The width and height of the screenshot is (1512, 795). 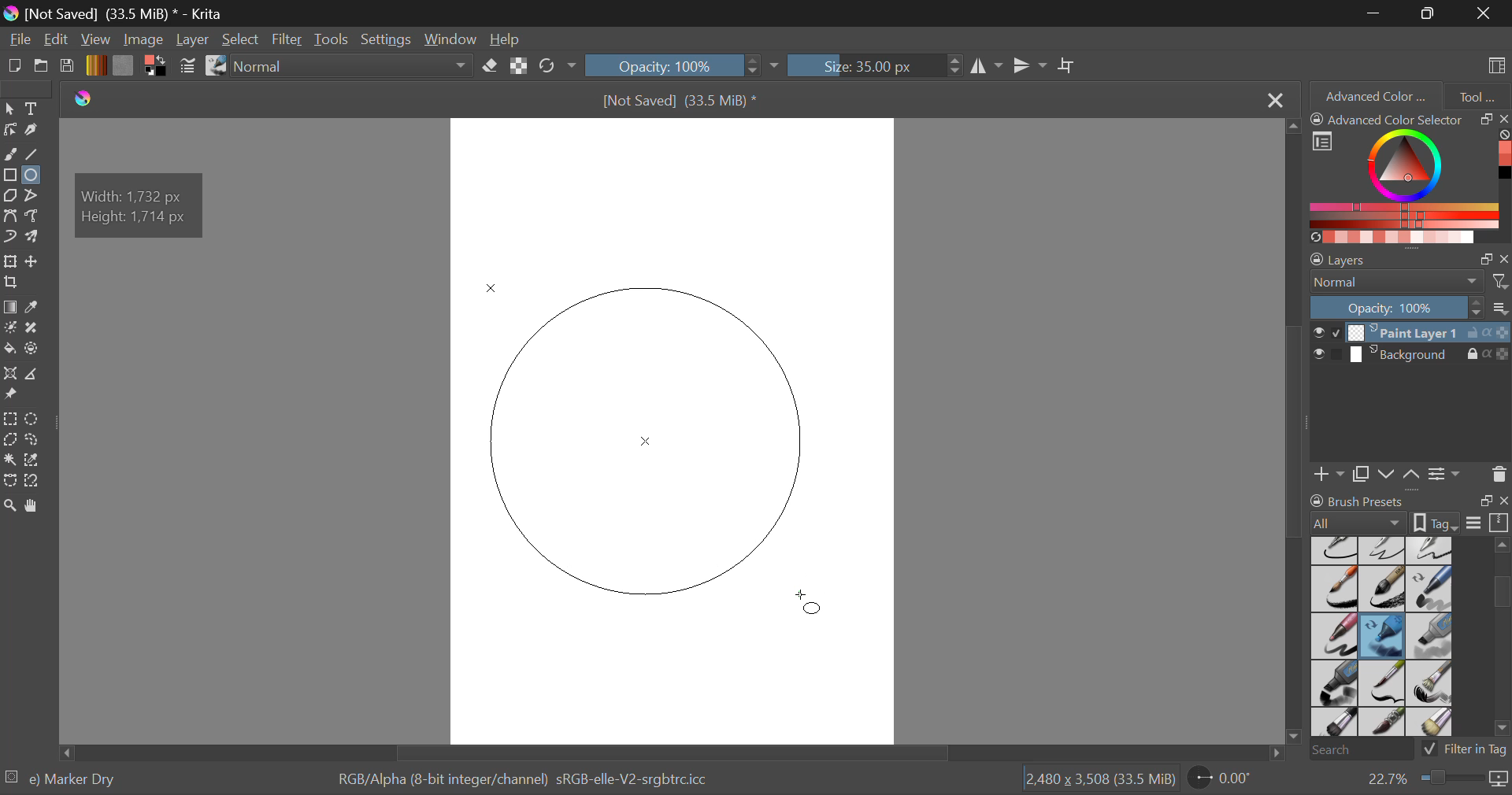 I want to click on Smart Patch Tool, so click(x=35, y=329).